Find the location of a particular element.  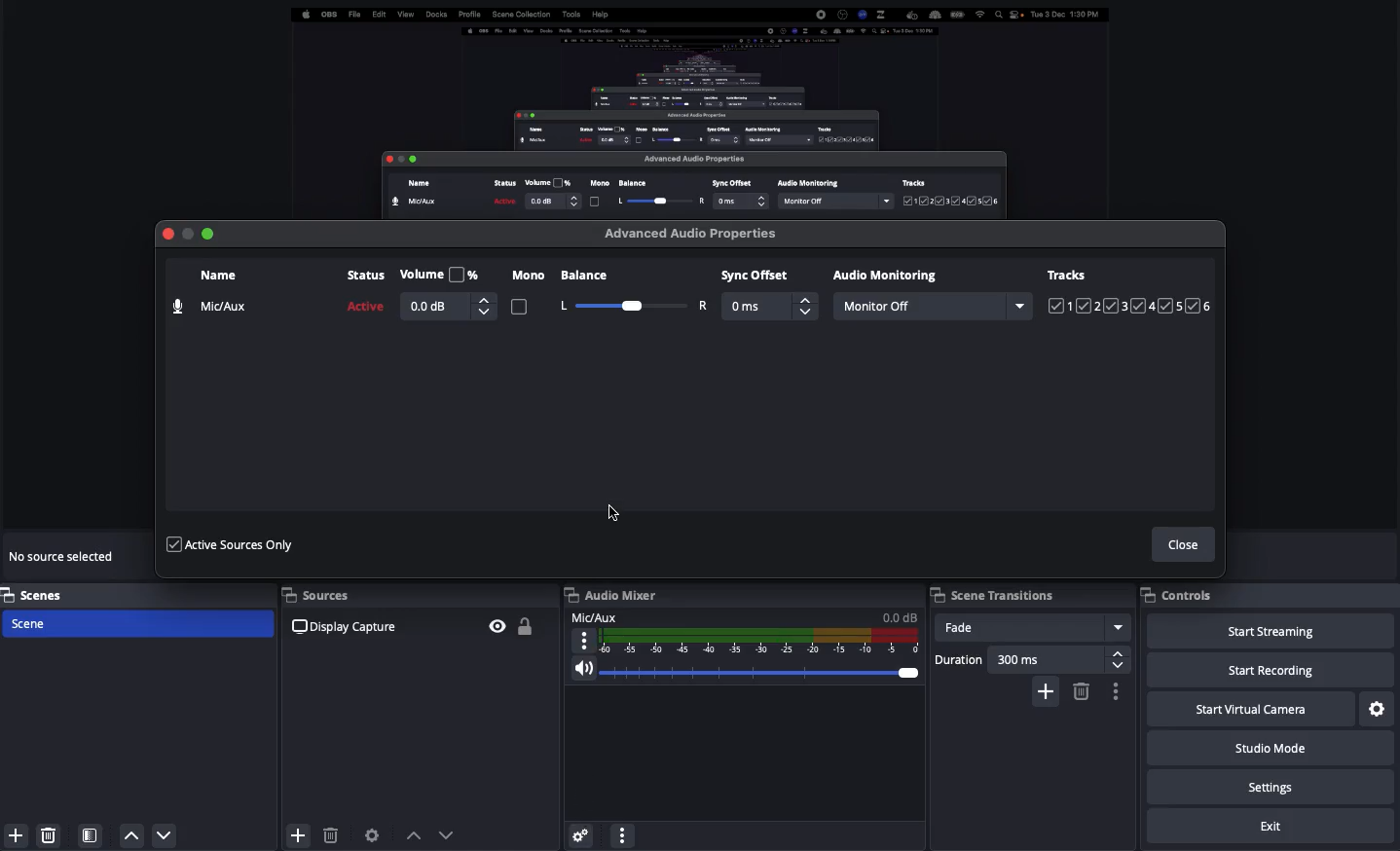

Settings is located at coordinates (1379, 710).